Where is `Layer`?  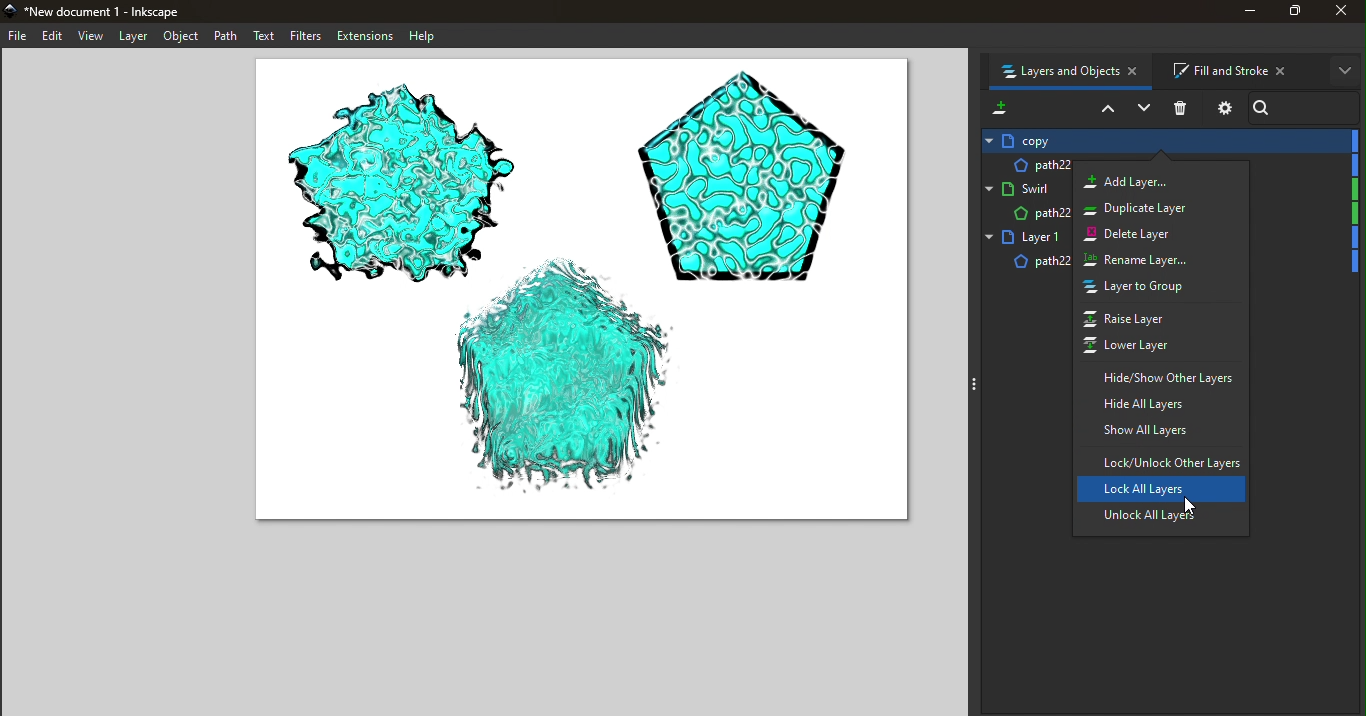 Layer is located at coordinates (136, 38).